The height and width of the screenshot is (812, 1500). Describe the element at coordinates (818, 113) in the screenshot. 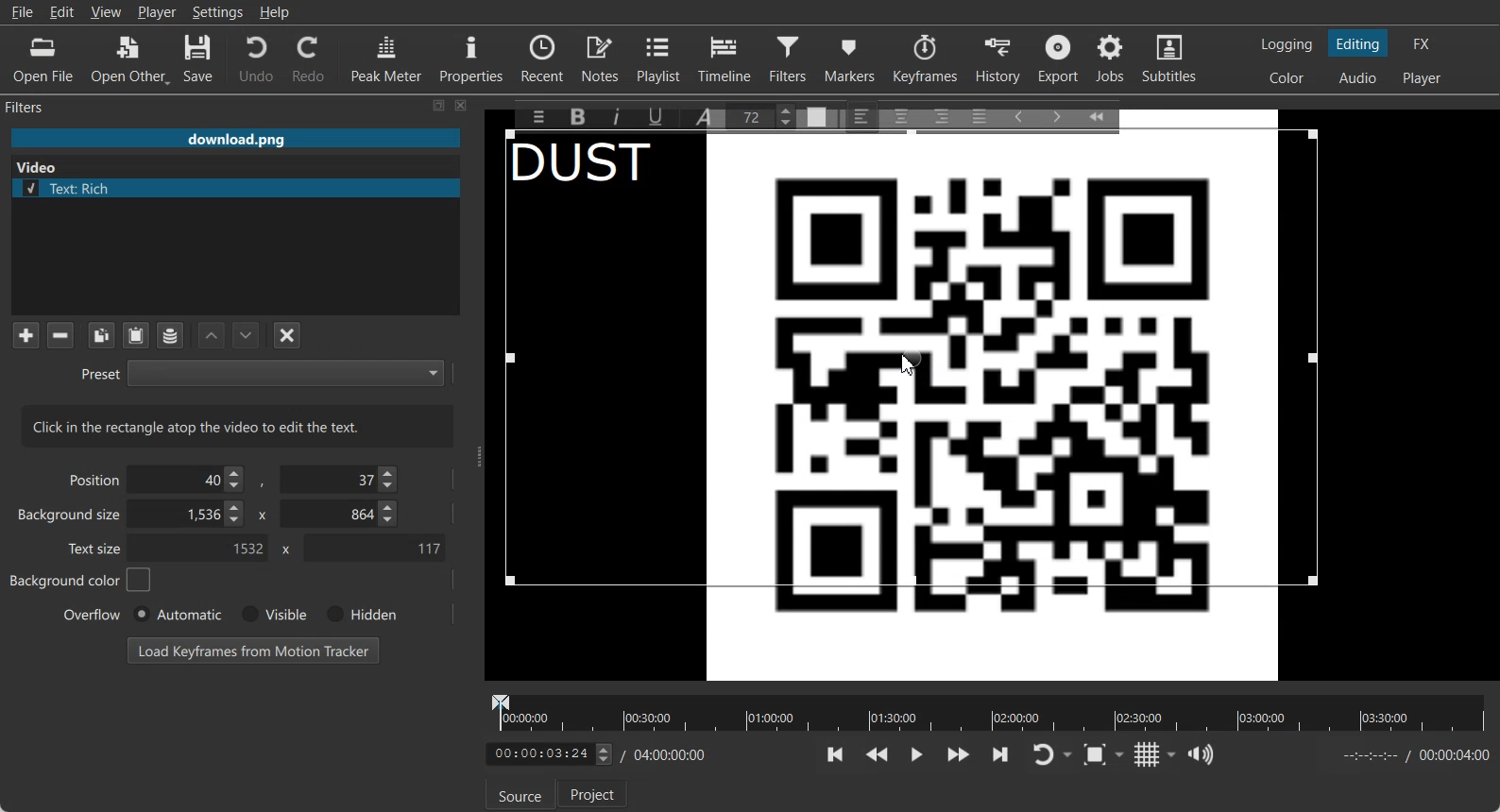

I see `Text Color` at that location.